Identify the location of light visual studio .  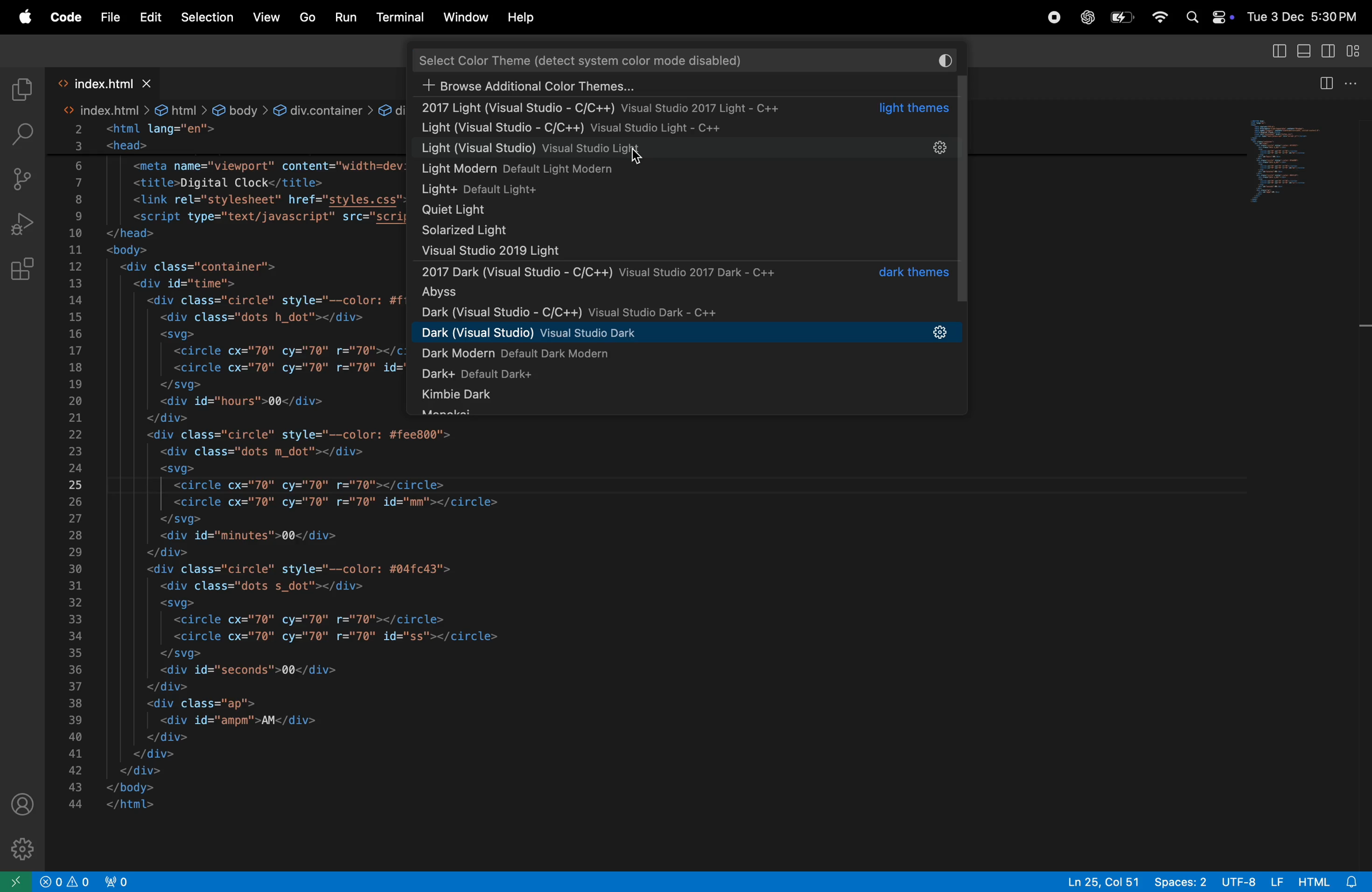
(671, 150).